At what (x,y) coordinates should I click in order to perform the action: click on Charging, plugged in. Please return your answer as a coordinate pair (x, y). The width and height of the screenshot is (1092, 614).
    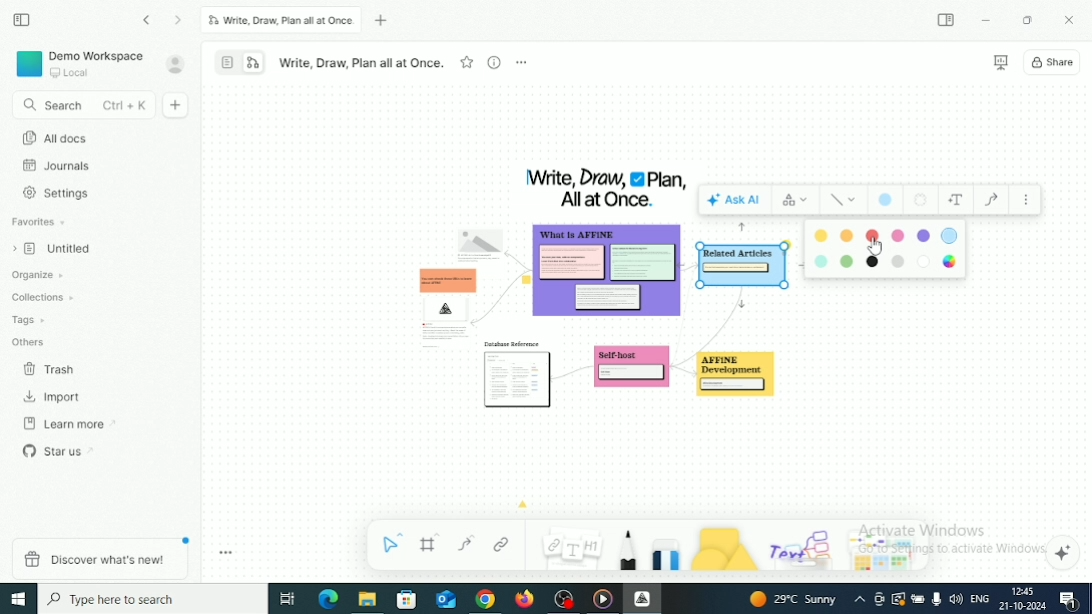
    Looking at the image, I should click on (918, 597).